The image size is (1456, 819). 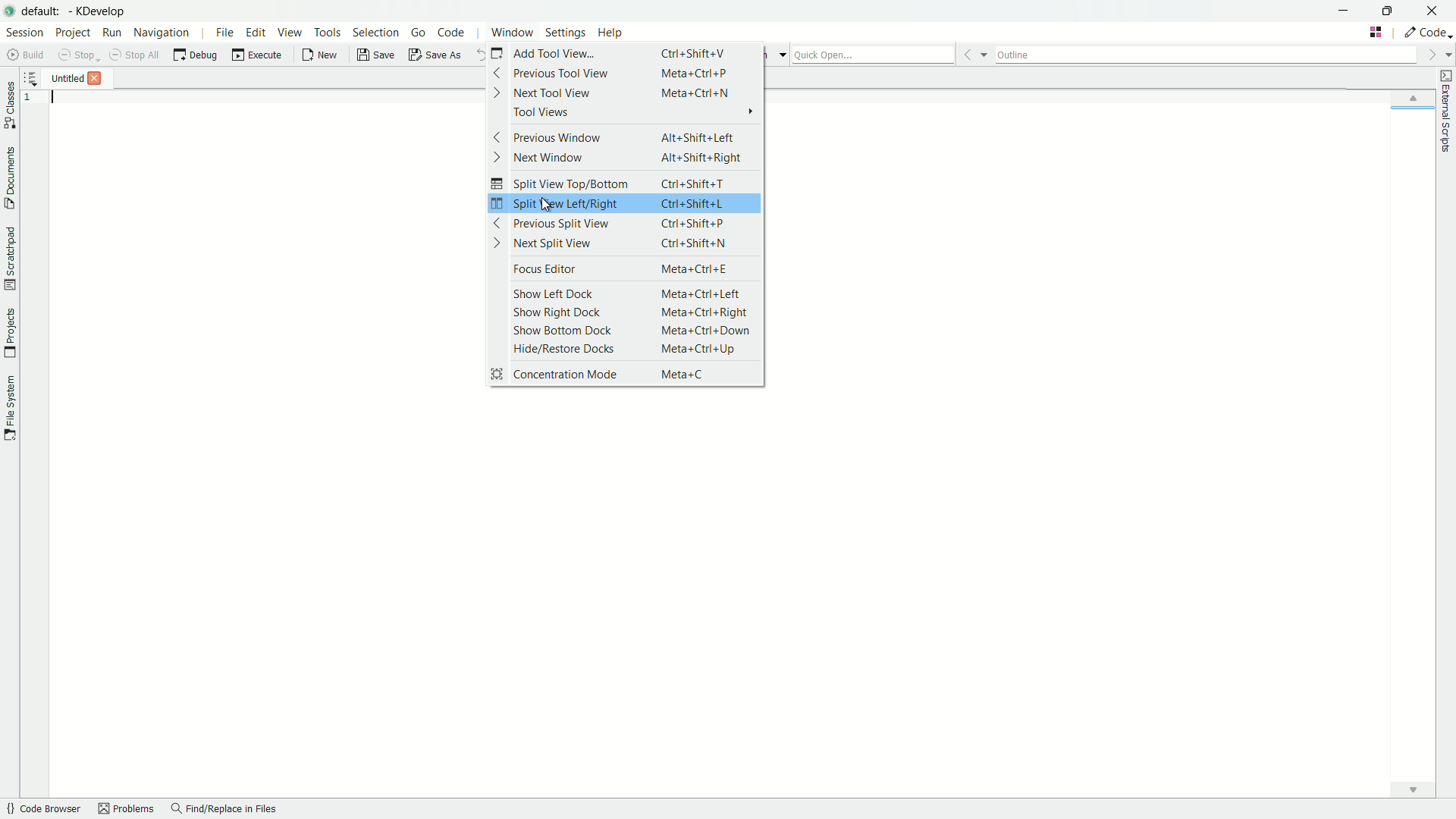 What do you see at coordinates (66, 80) in the screenshot?
I see `file name` at bounding box center [66, 80].